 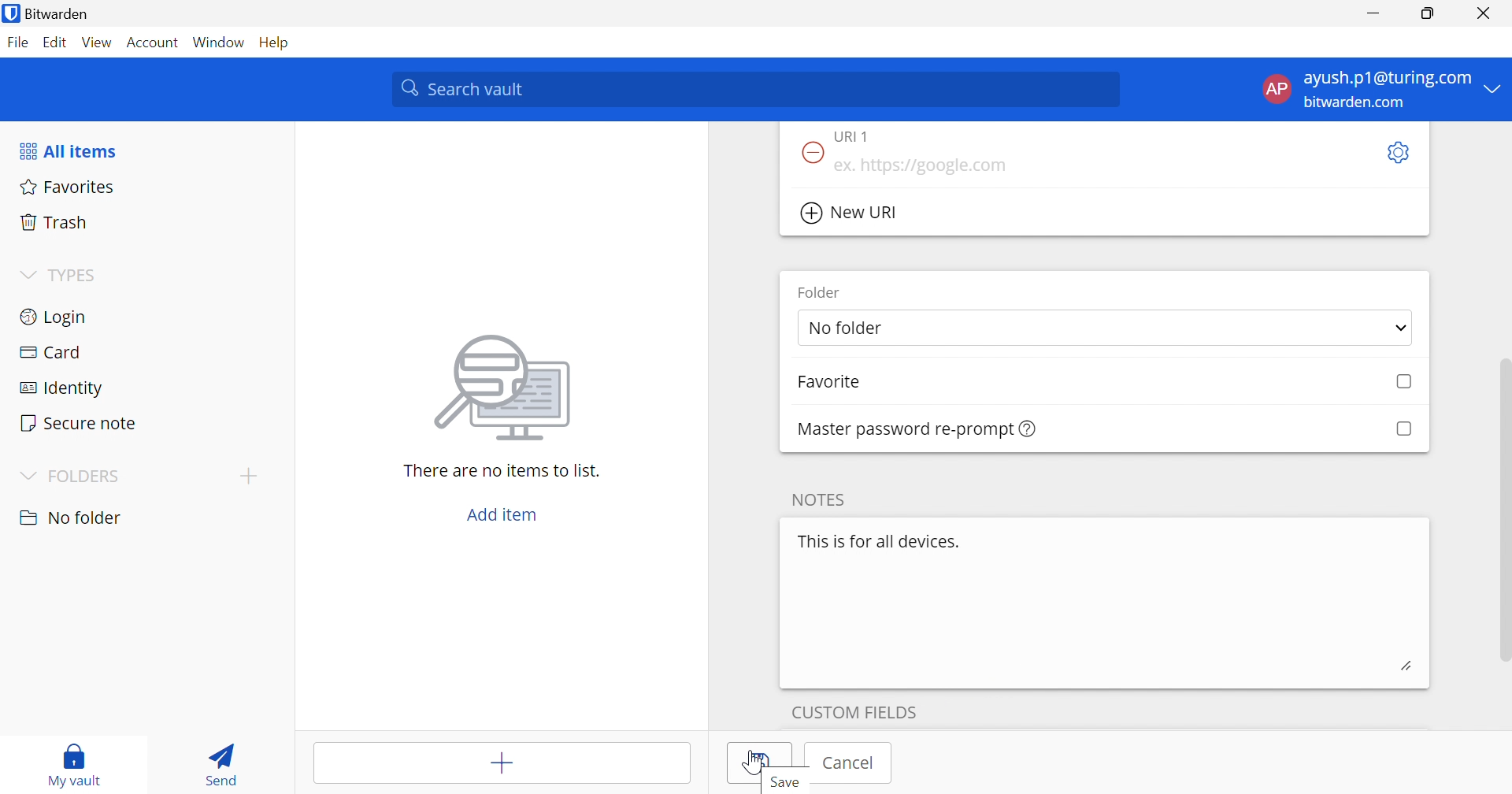 I want to click on ex. https://google.com, so click(x=920, y=166).